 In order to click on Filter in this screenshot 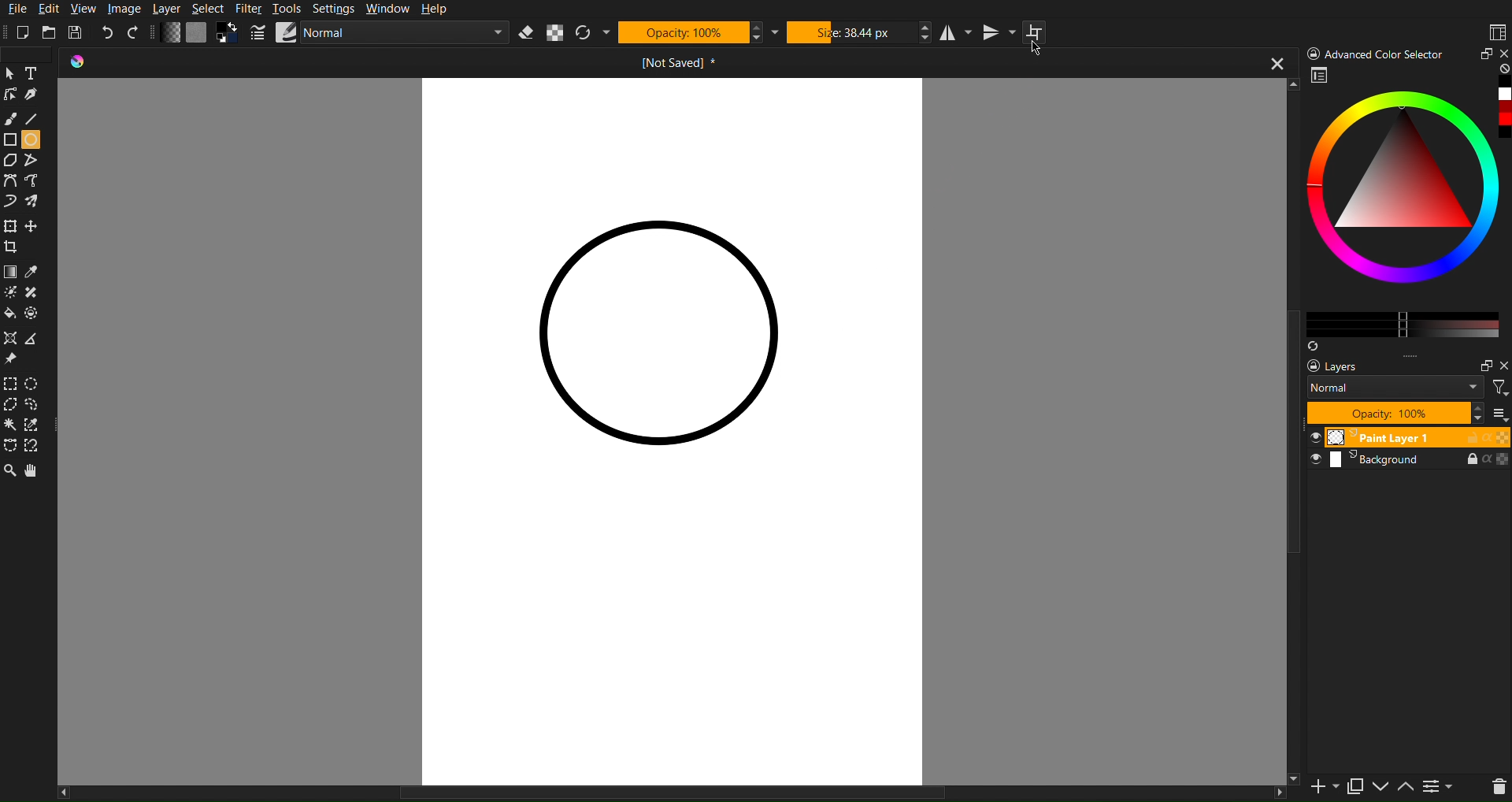, I will do `click(252, 9)`.